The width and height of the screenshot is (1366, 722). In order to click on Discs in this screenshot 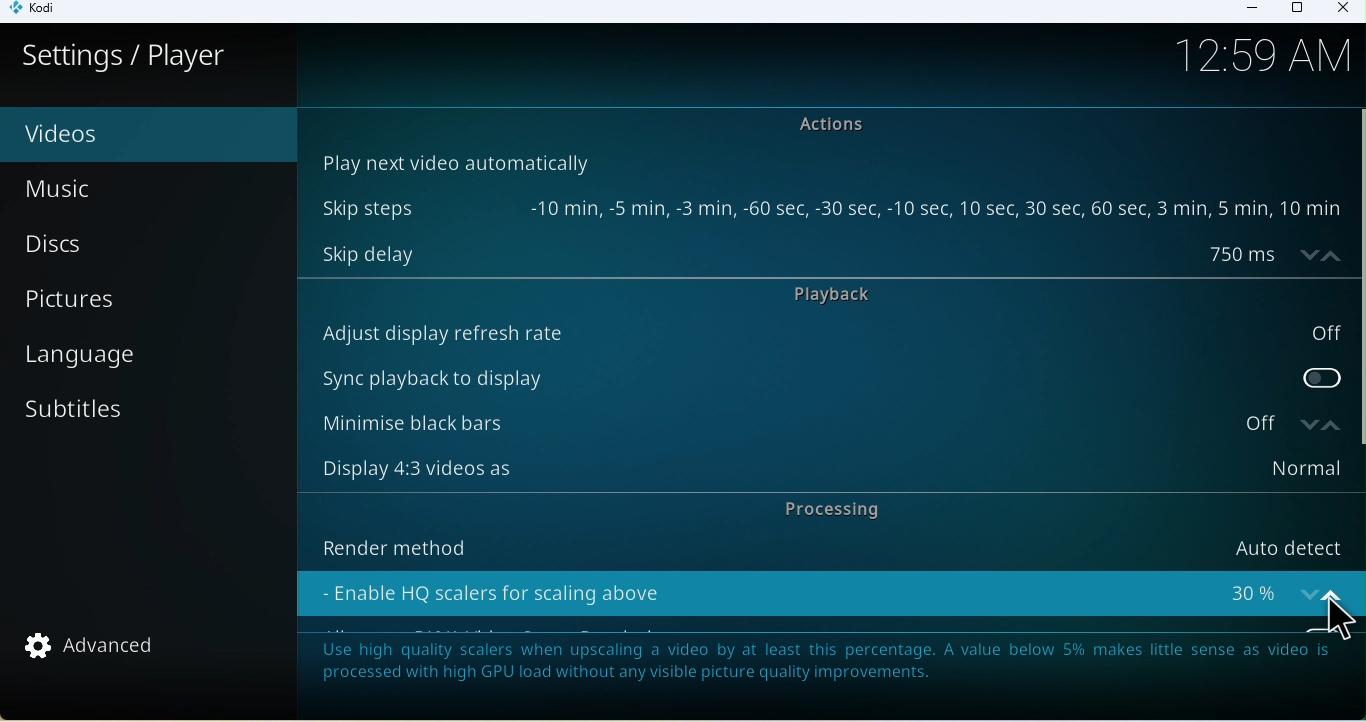, I will do `click(136, 246)`.